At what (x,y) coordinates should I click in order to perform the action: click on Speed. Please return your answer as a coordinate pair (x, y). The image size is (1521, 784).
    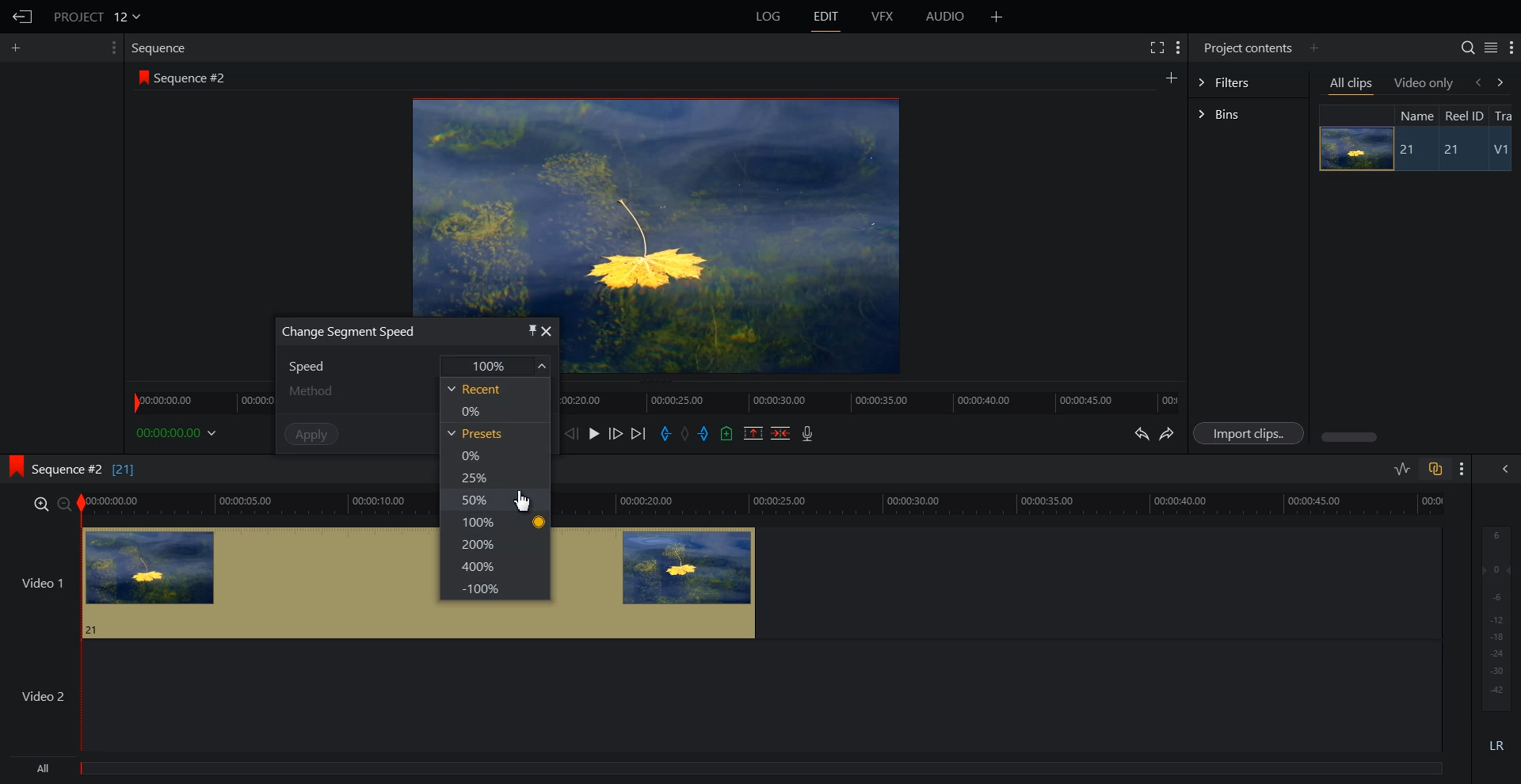
    Looking at the image, I should click on (318, 365).